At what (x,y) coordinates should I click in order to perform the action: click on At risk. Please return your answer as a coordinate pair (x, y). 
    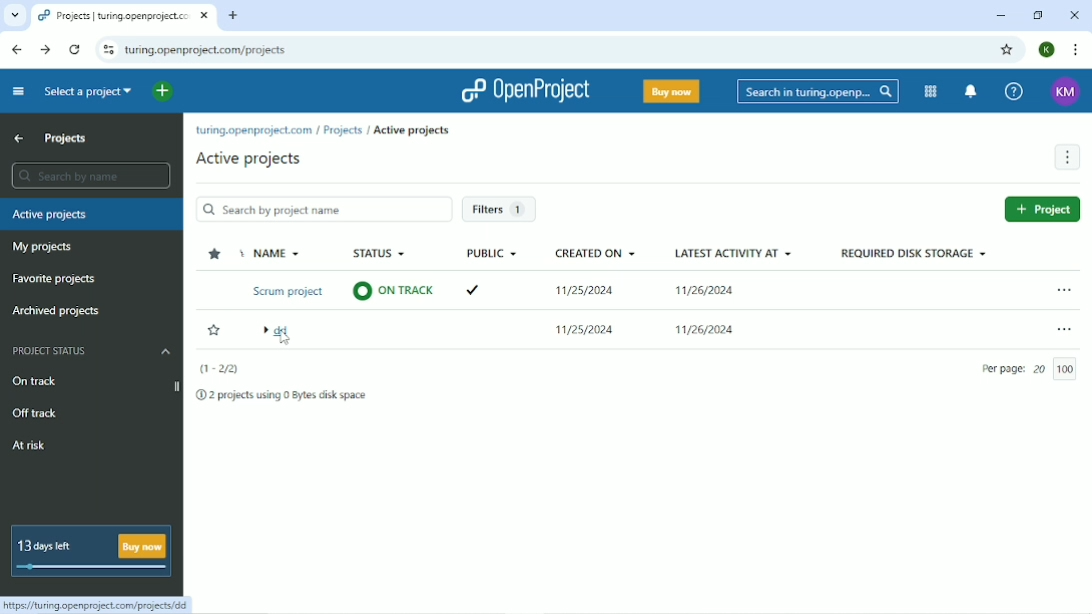
    Looking at the image, I should click on (31, 445).